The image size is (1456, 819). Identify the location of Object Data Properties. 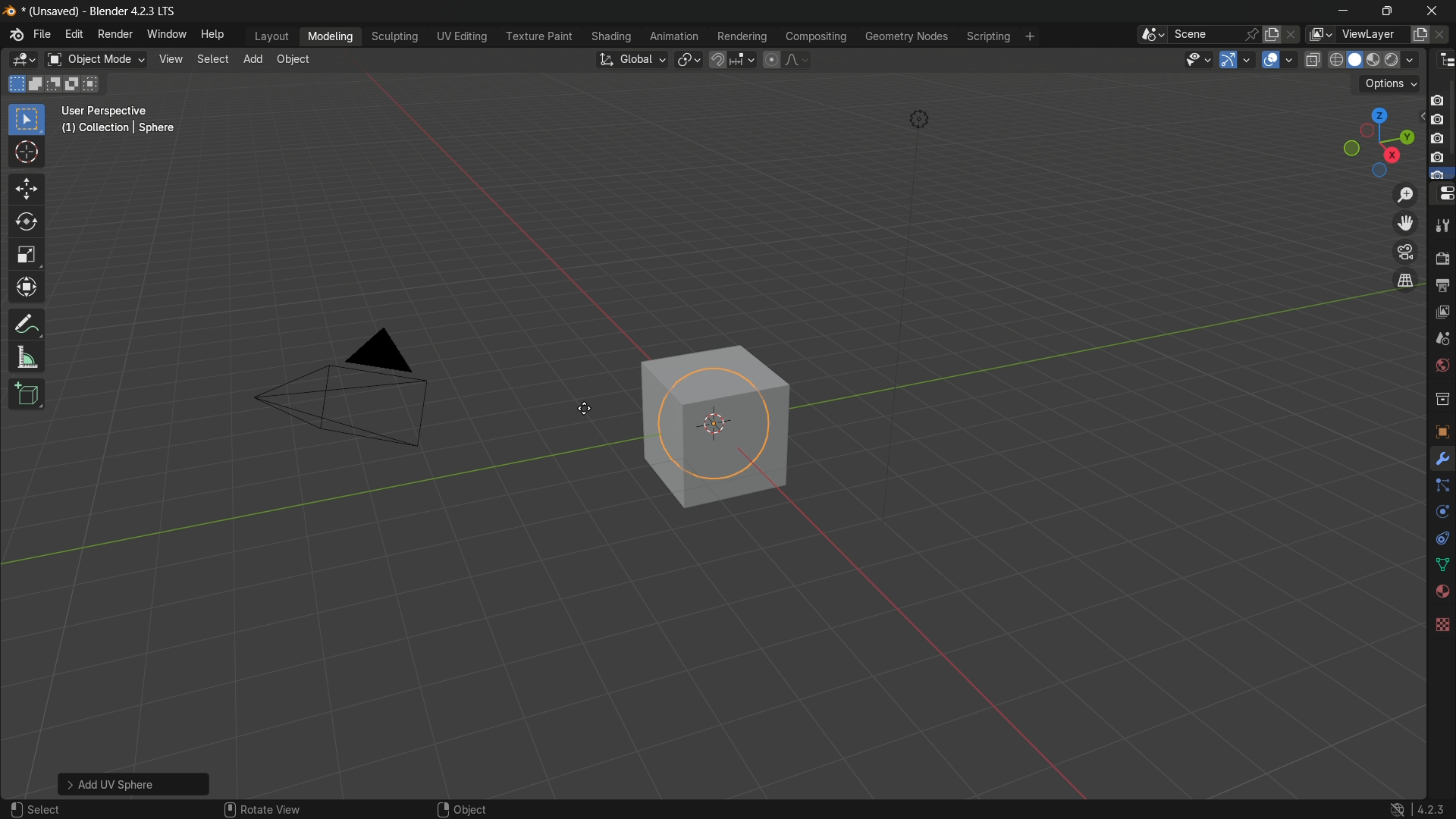
(1441, 512).